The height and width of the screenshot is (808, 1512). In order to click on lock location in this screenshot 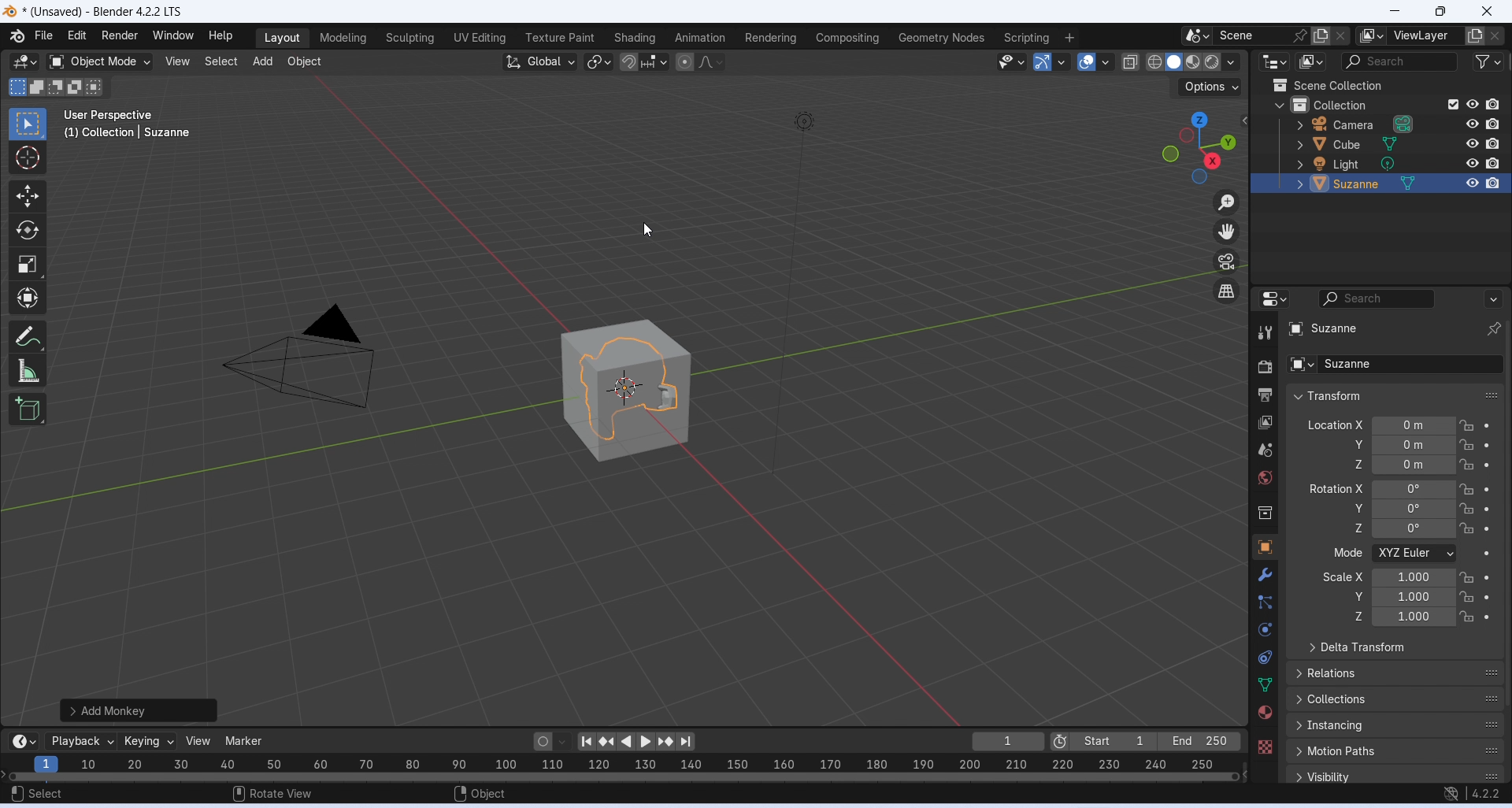, I will do `click(1468, 509)`.